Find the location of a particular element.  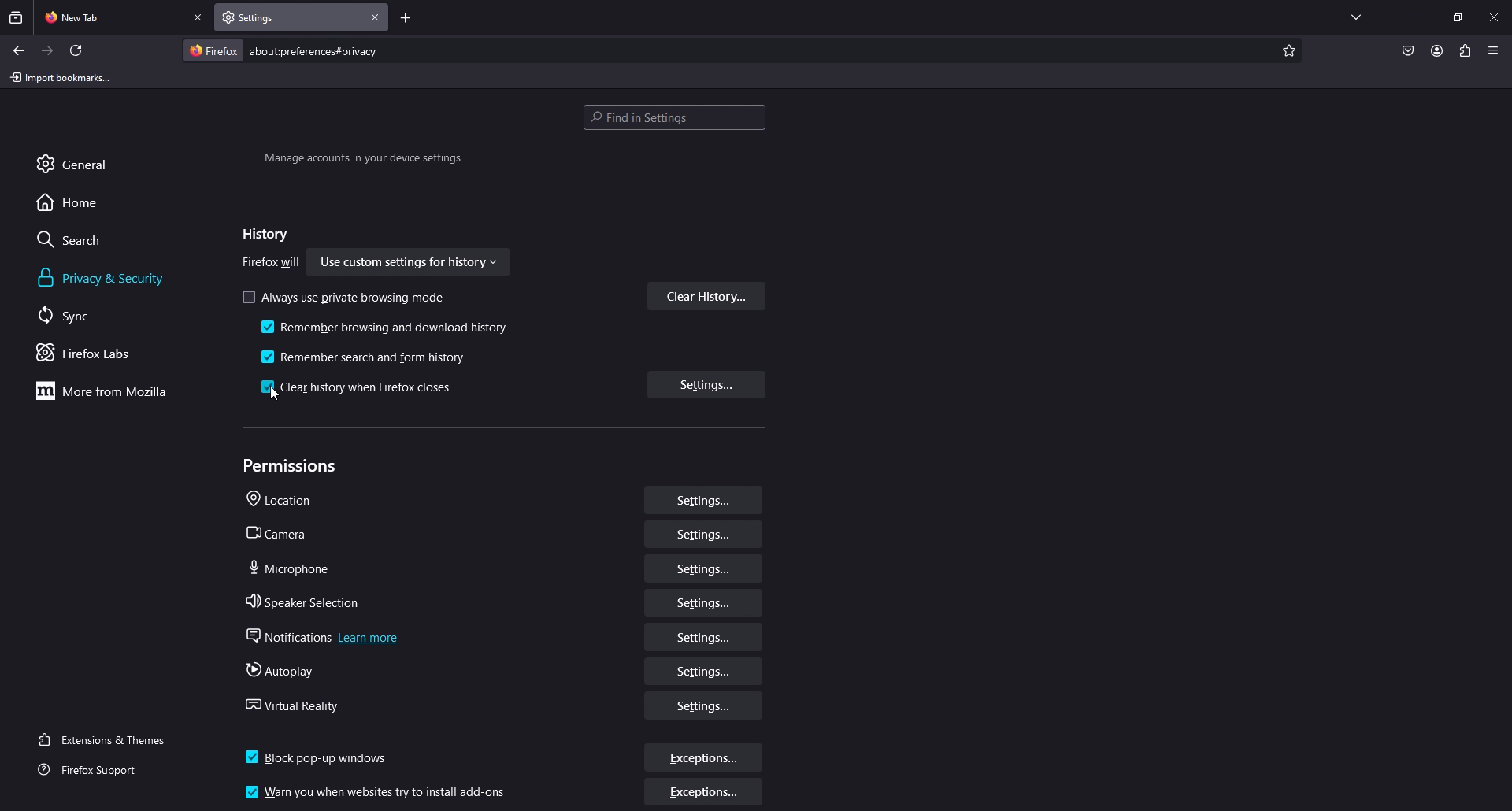

extension is located at coordinates (1466, 50).